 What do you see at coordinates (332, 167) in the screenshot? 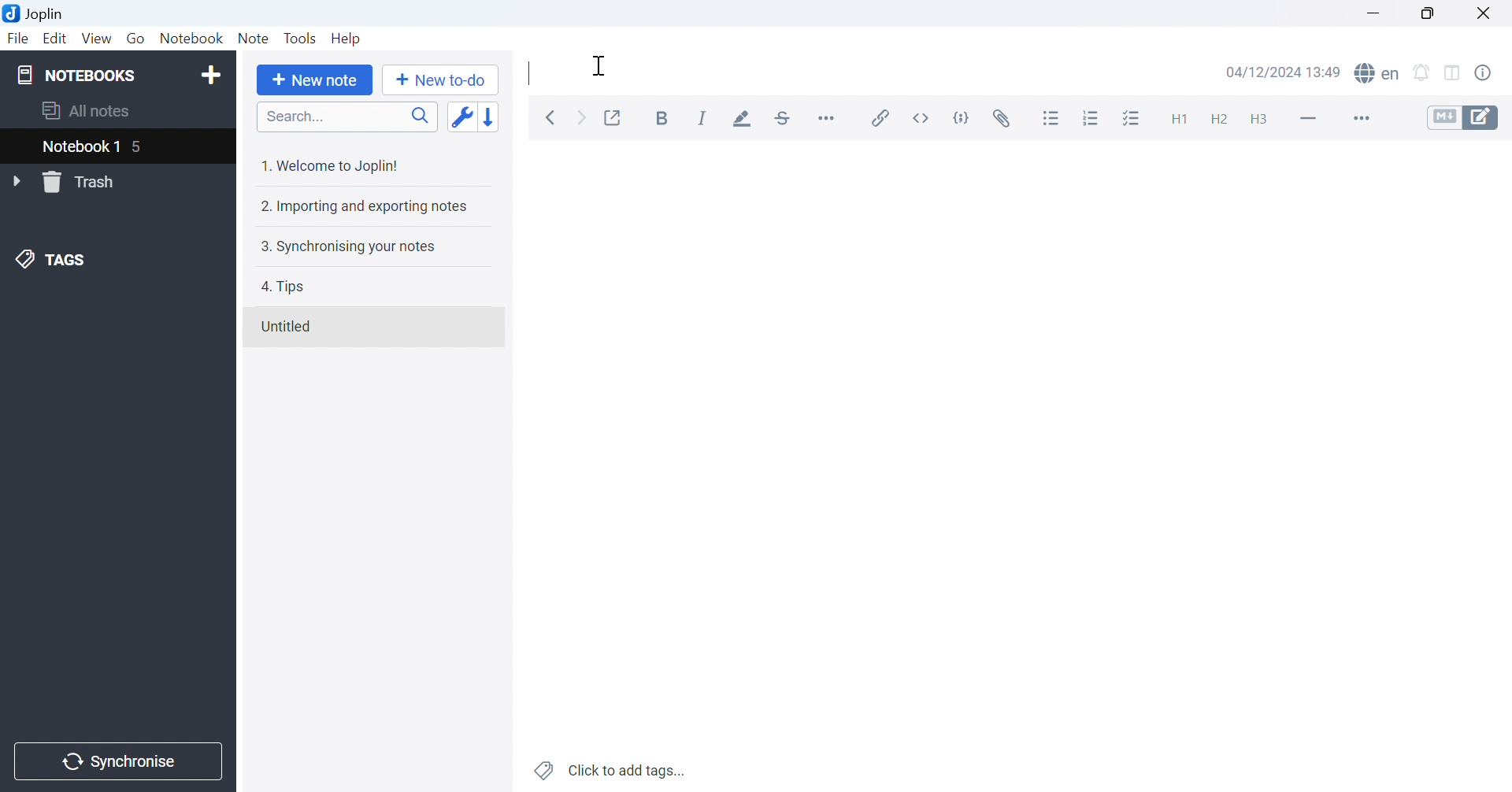
I see `1. Welcome to Joplin!` at bounding box center [332, 167].